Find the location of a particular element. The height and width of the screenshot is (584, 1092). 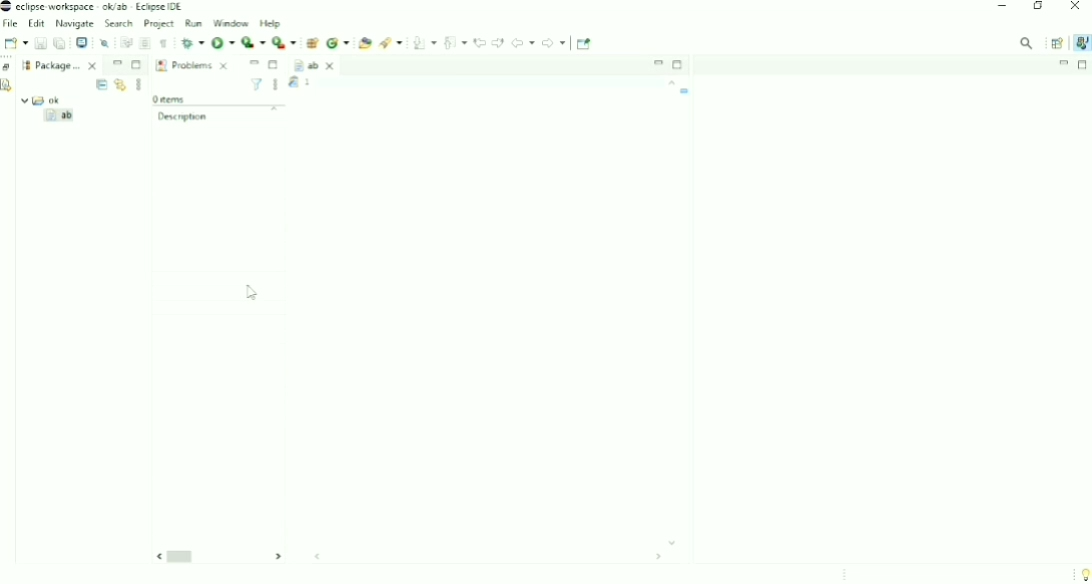

Open Perspective is located at coordinates (1055, 42).